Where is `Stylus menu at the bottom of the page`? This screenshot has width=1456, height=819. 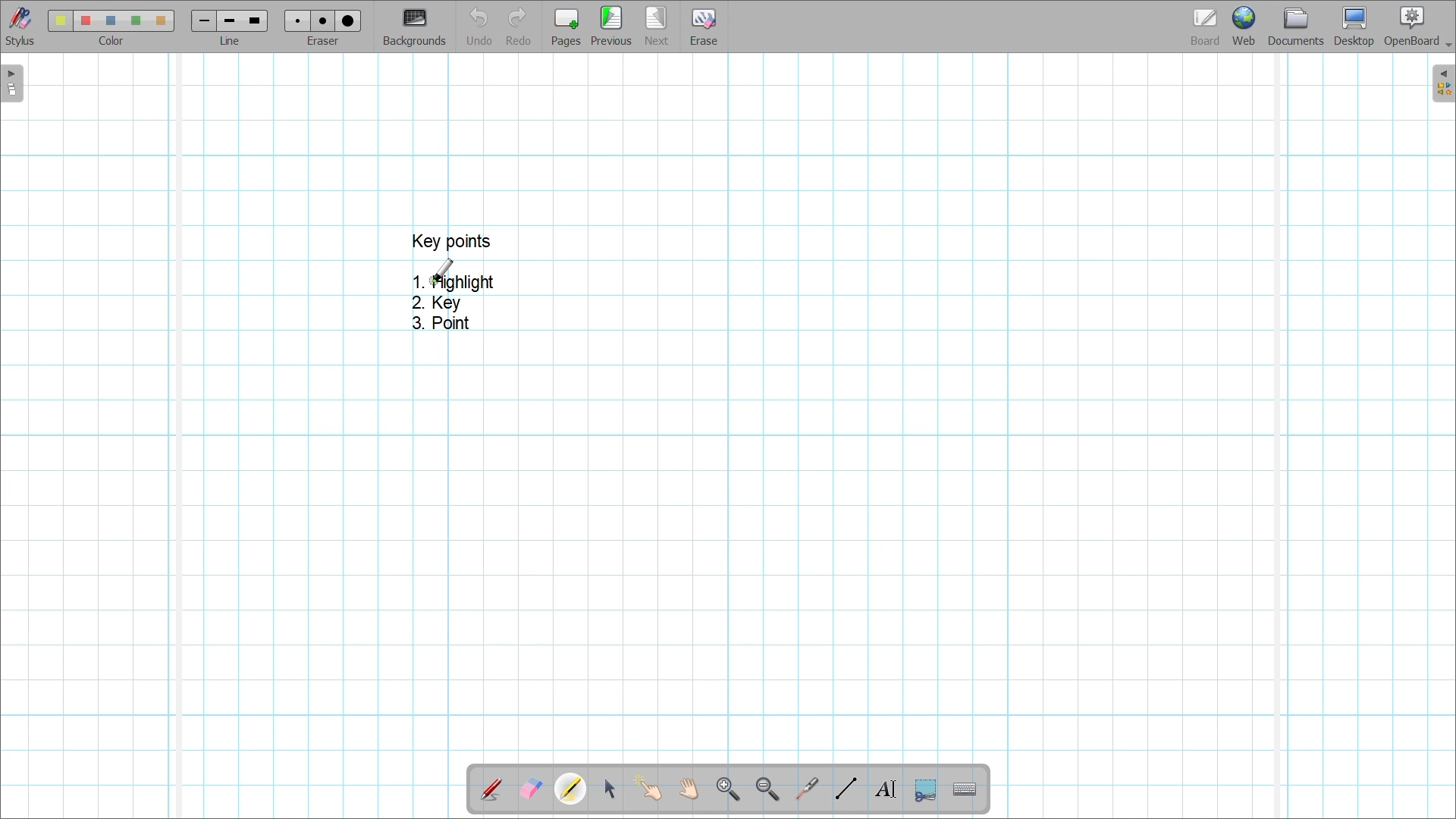 Stylus menu at the bottom of the page is located at coordinates (21, 27).